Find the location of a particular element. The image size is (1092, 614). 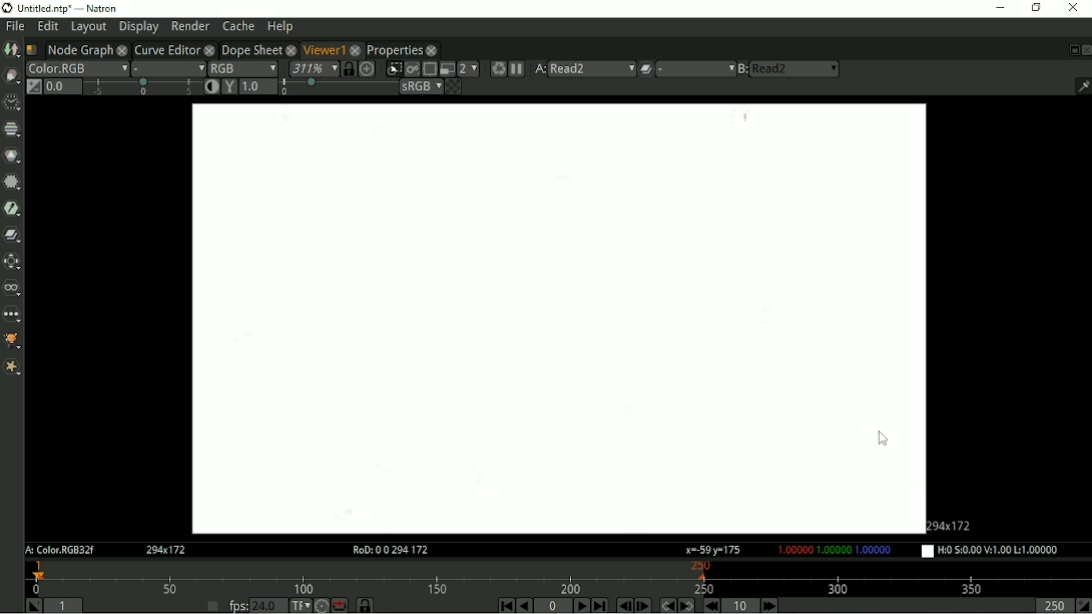

Edit is located at coordinates (49, 26).